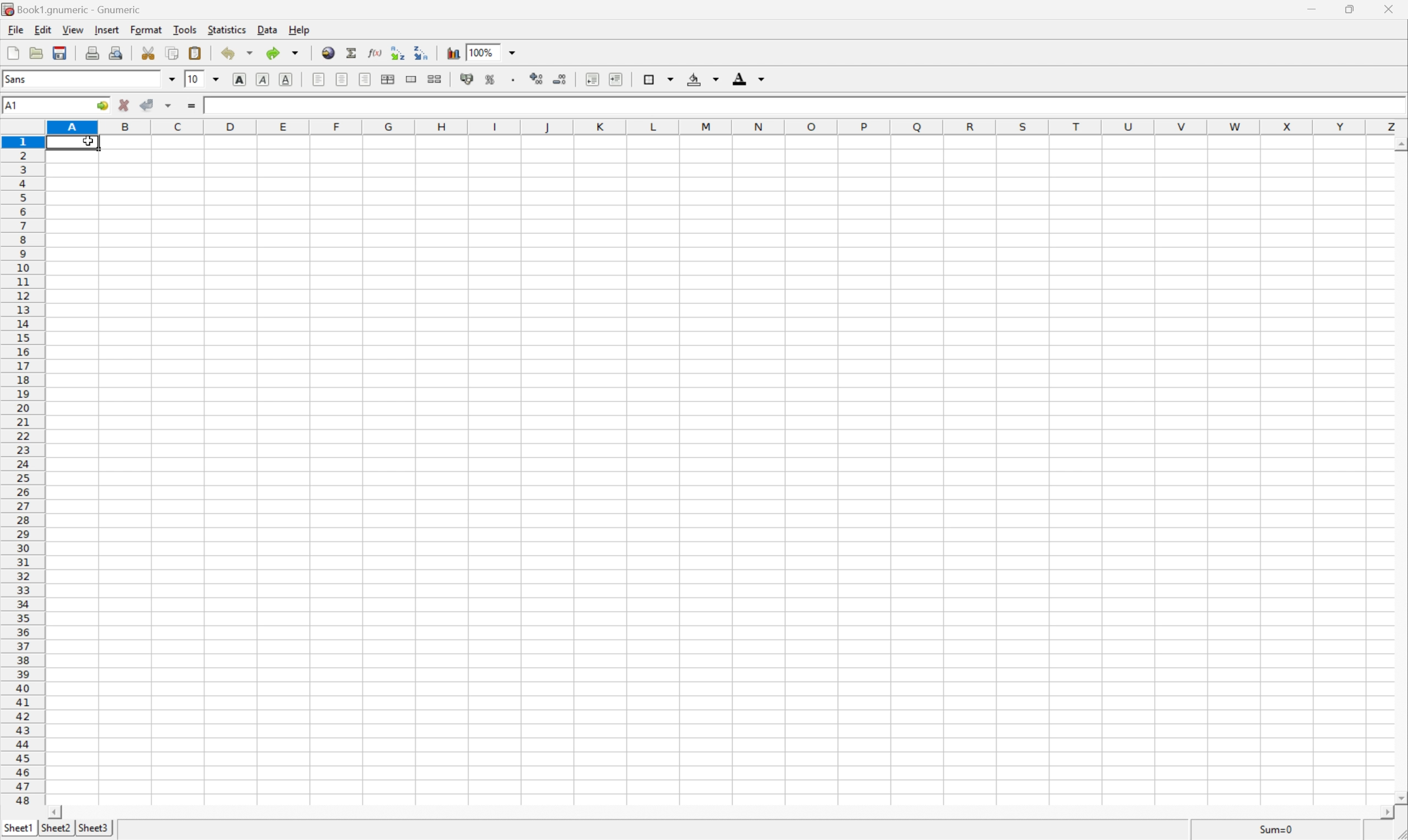 This screenshot has width=1408, height=840. I want to click on center horizontally, so click(343, 80).